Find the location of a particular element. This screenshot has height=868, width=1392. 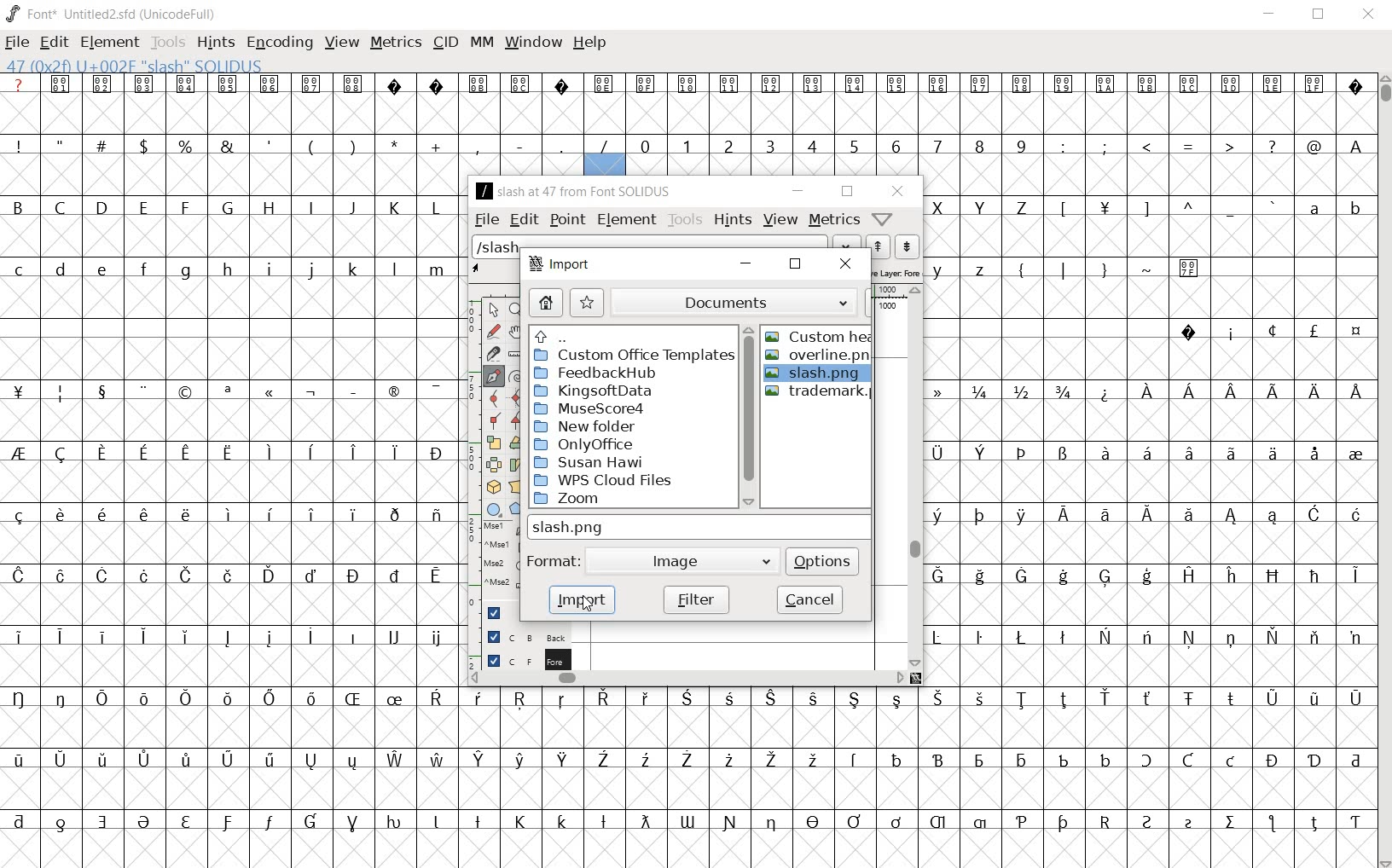

tools is located at coordinates (686, 219).